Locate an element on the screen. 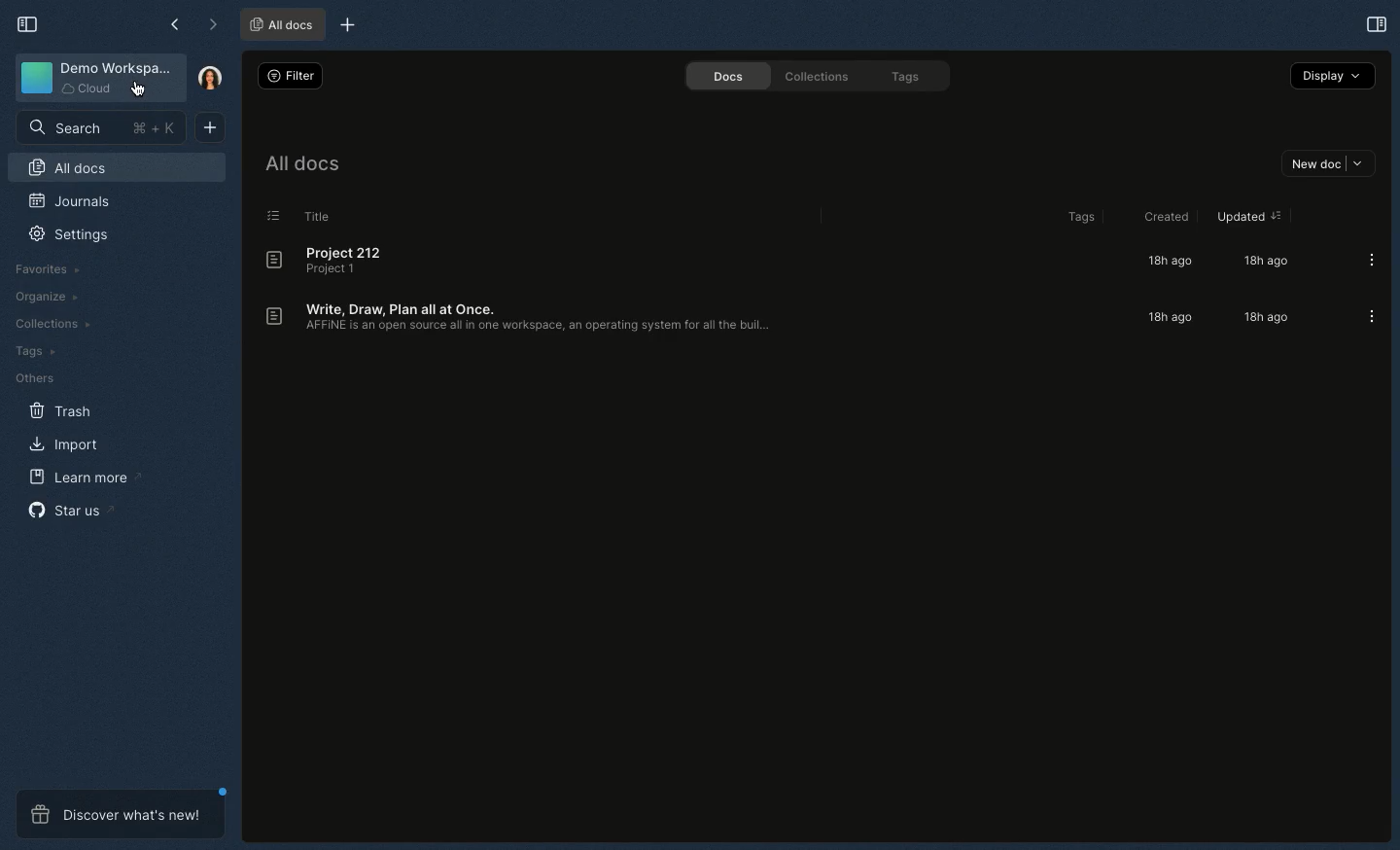 This screenshot has width=1400, height=850. Display is located at coordinates (1331, 76).